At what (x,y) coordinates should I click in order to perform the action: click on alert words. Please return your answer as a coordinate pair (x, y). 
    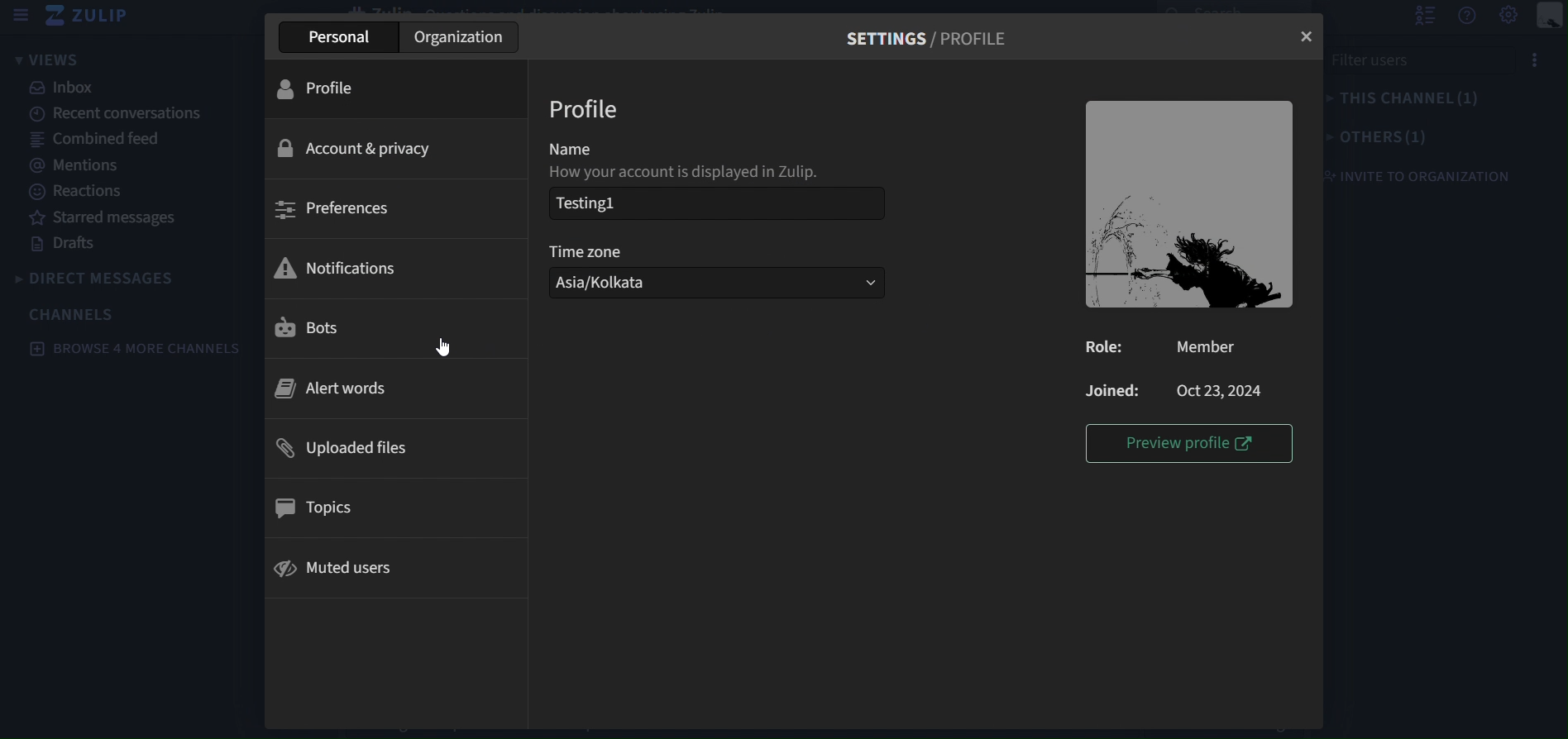
    Looking at the image, I should click on (388, 388).